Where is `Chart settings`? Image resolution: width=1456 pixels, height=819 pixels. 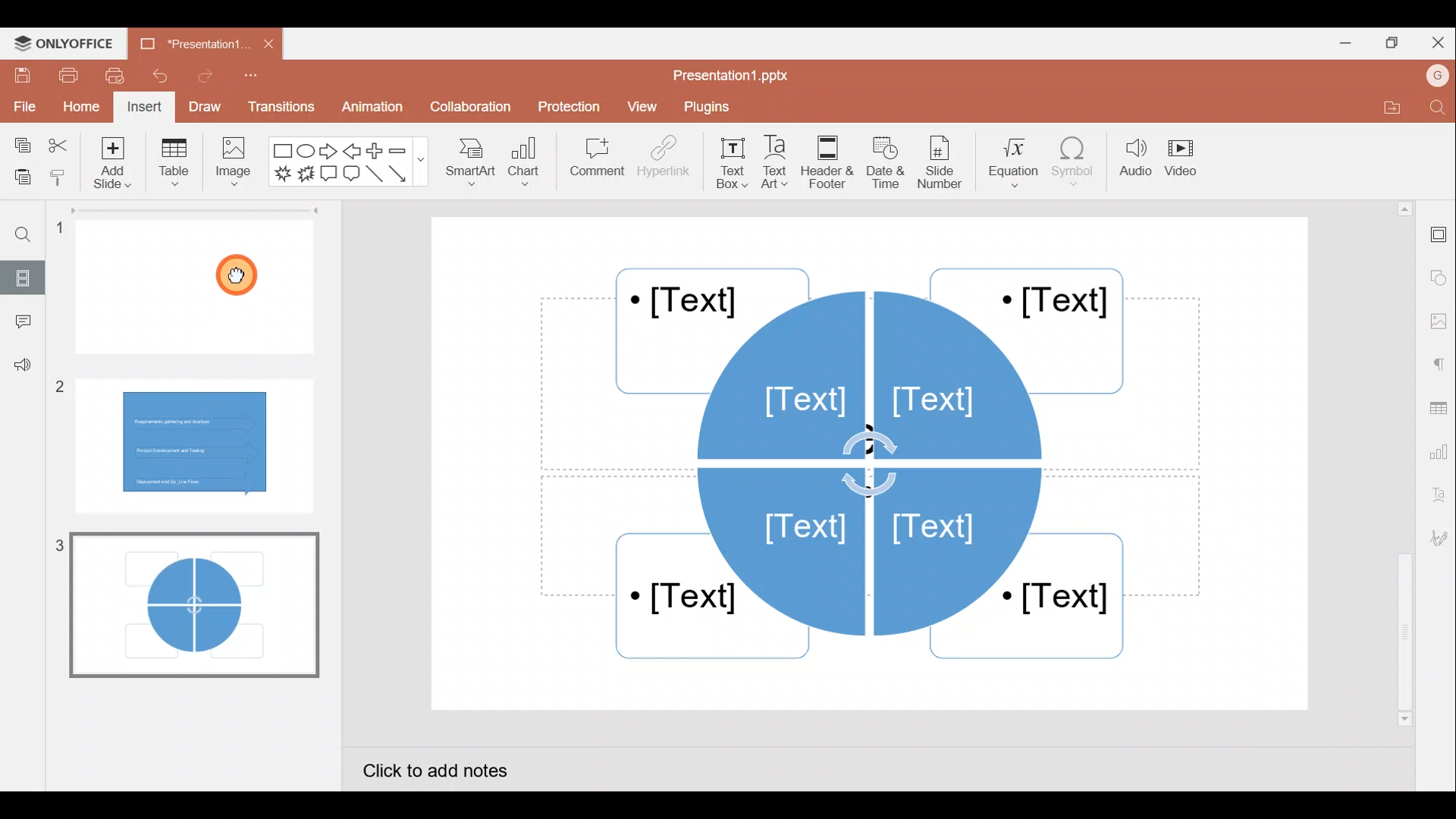 Chart settings is located at coordinates (1441, 454).